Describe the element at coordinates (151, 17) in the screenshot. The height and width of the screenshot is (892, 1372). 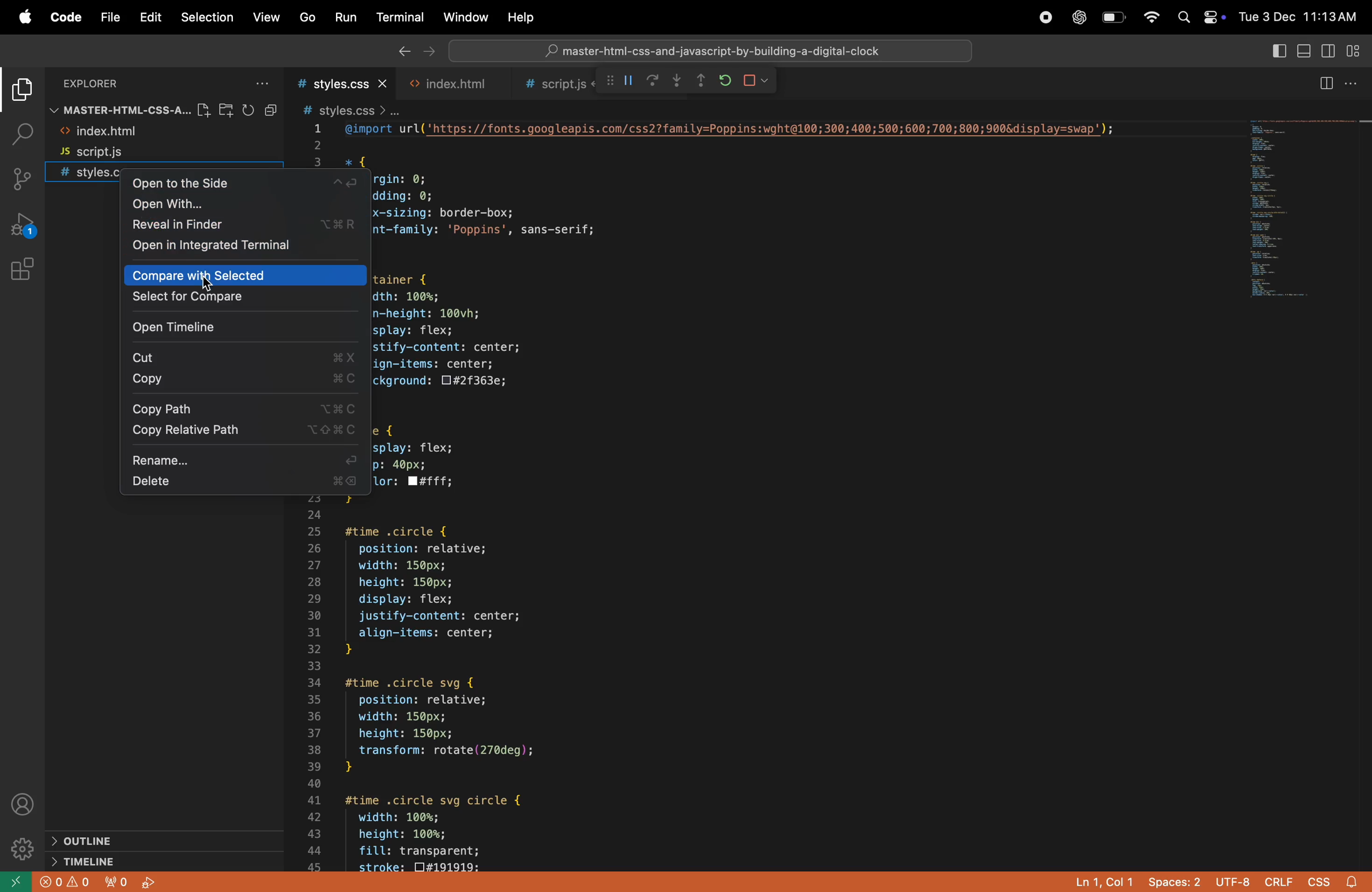
I see `edit` at that location.